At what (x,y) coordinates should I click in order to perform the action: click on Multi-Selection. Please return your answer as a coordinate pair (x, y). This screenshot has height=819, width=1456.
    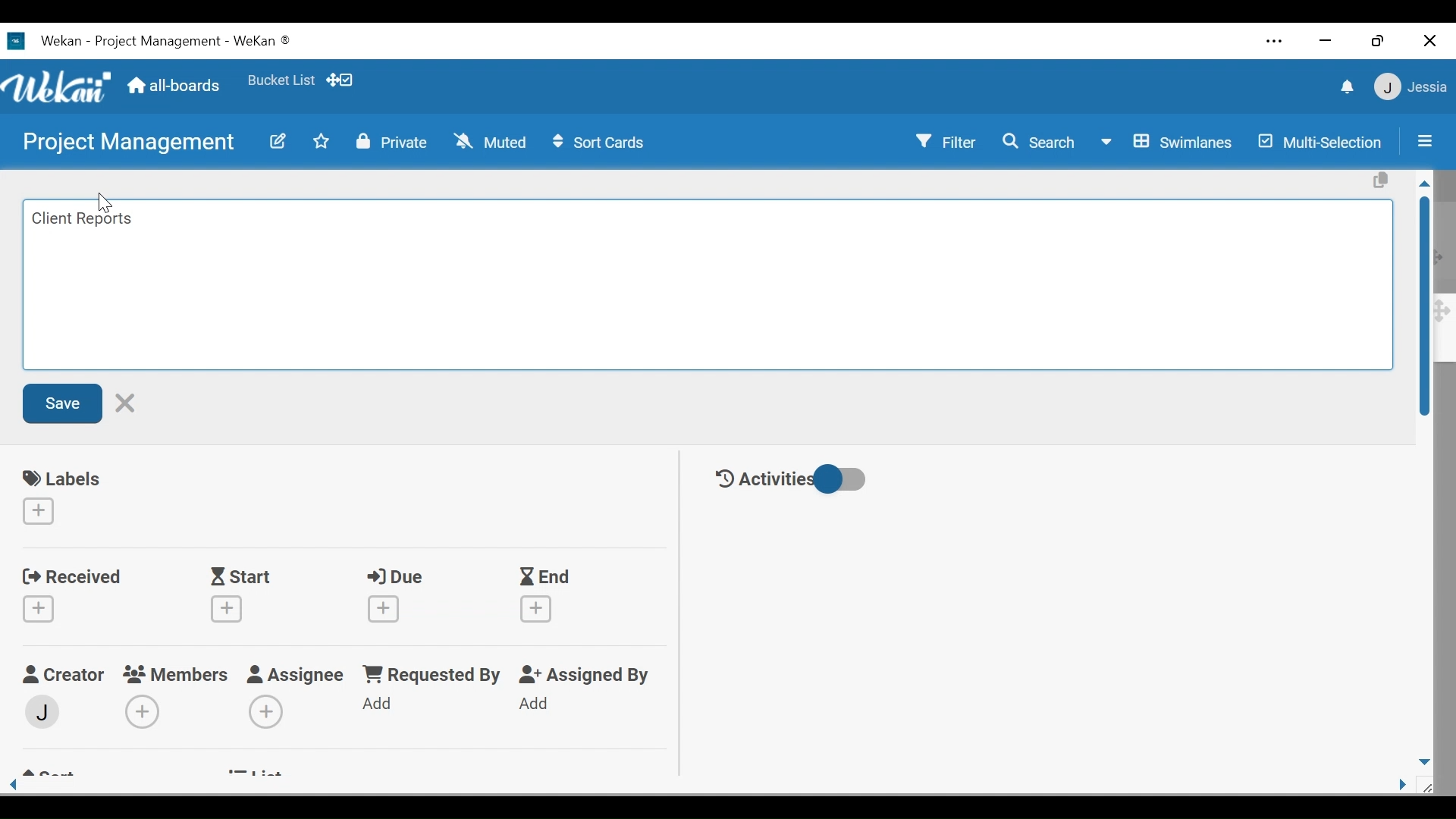
    Looking at the image, I should click on (1321, 143).